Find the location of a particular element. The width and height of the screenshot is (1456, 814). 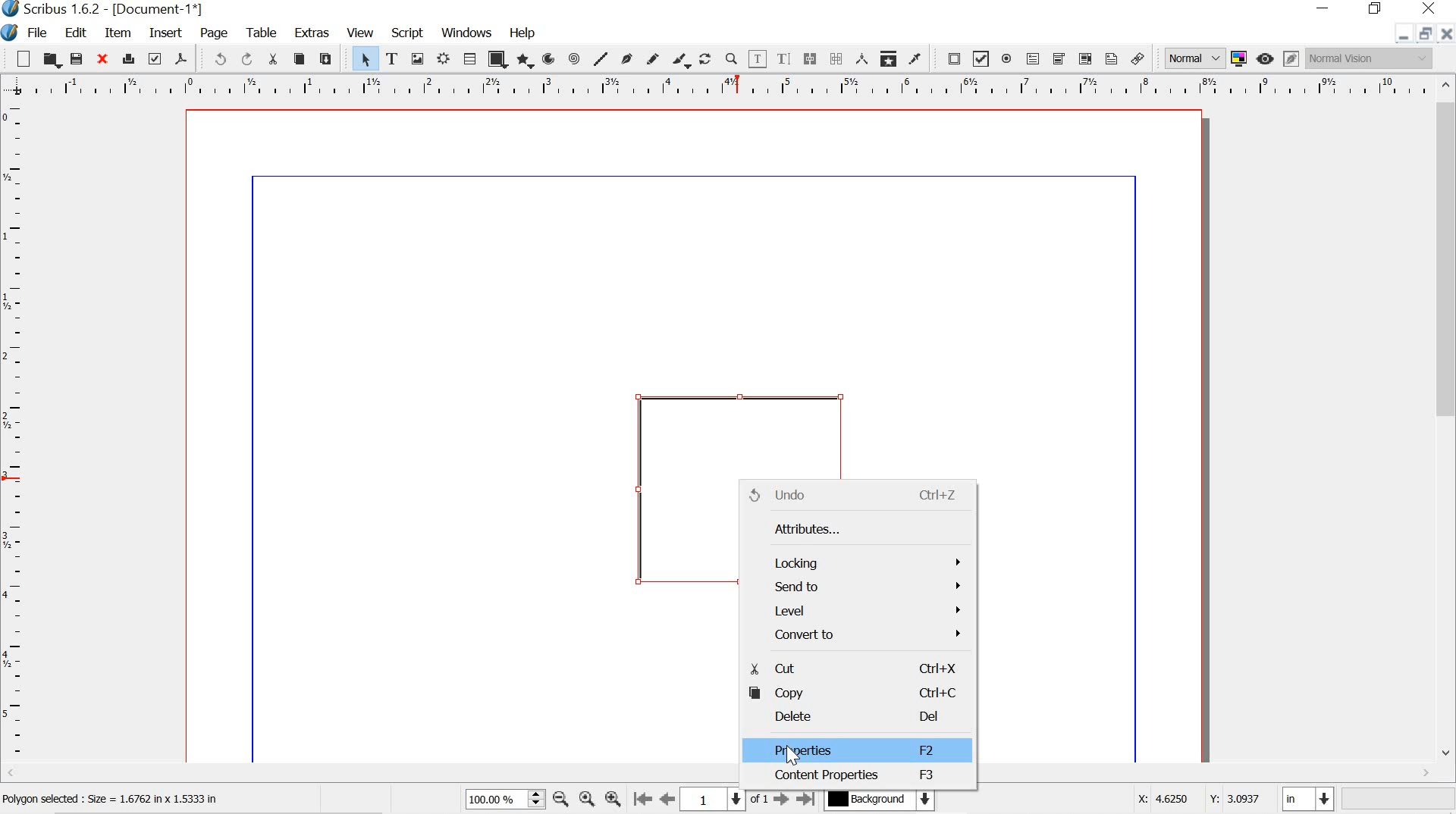

cut is located at coordinates (273, 59).